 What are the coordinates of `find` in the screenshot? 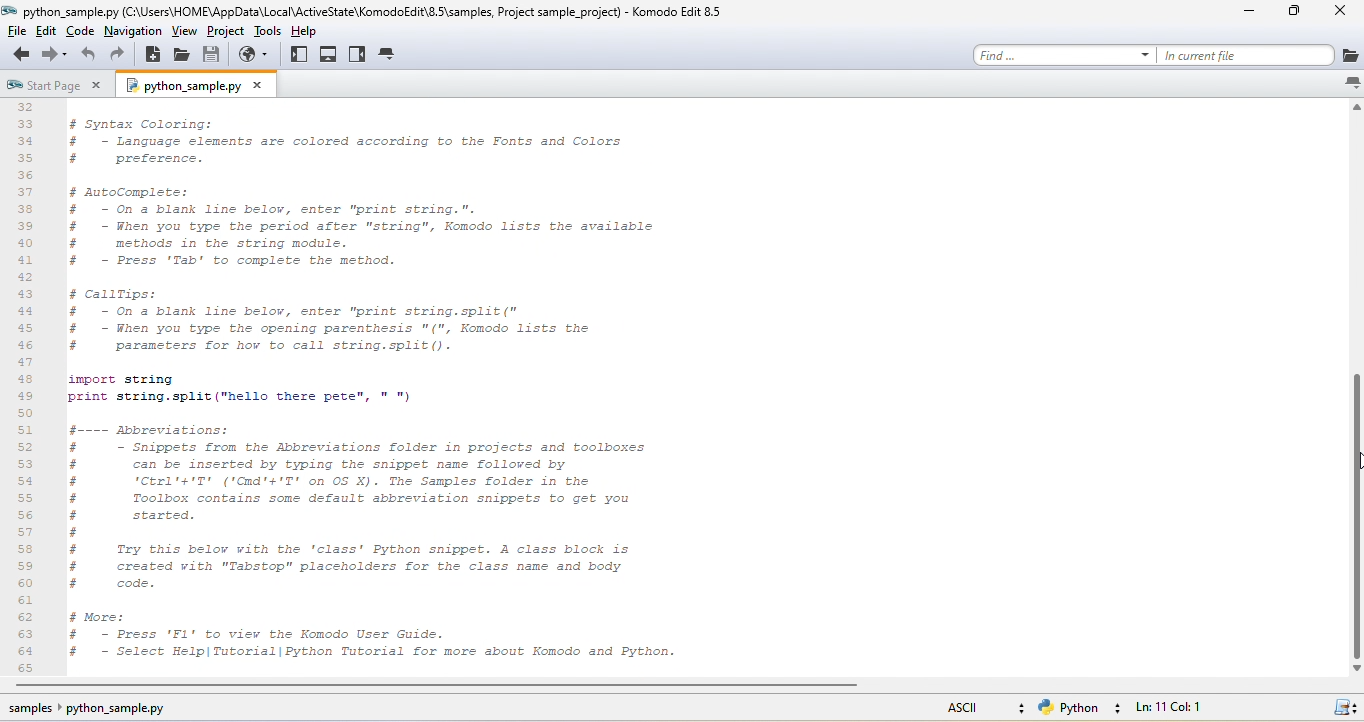 It's located at (1065, 52).